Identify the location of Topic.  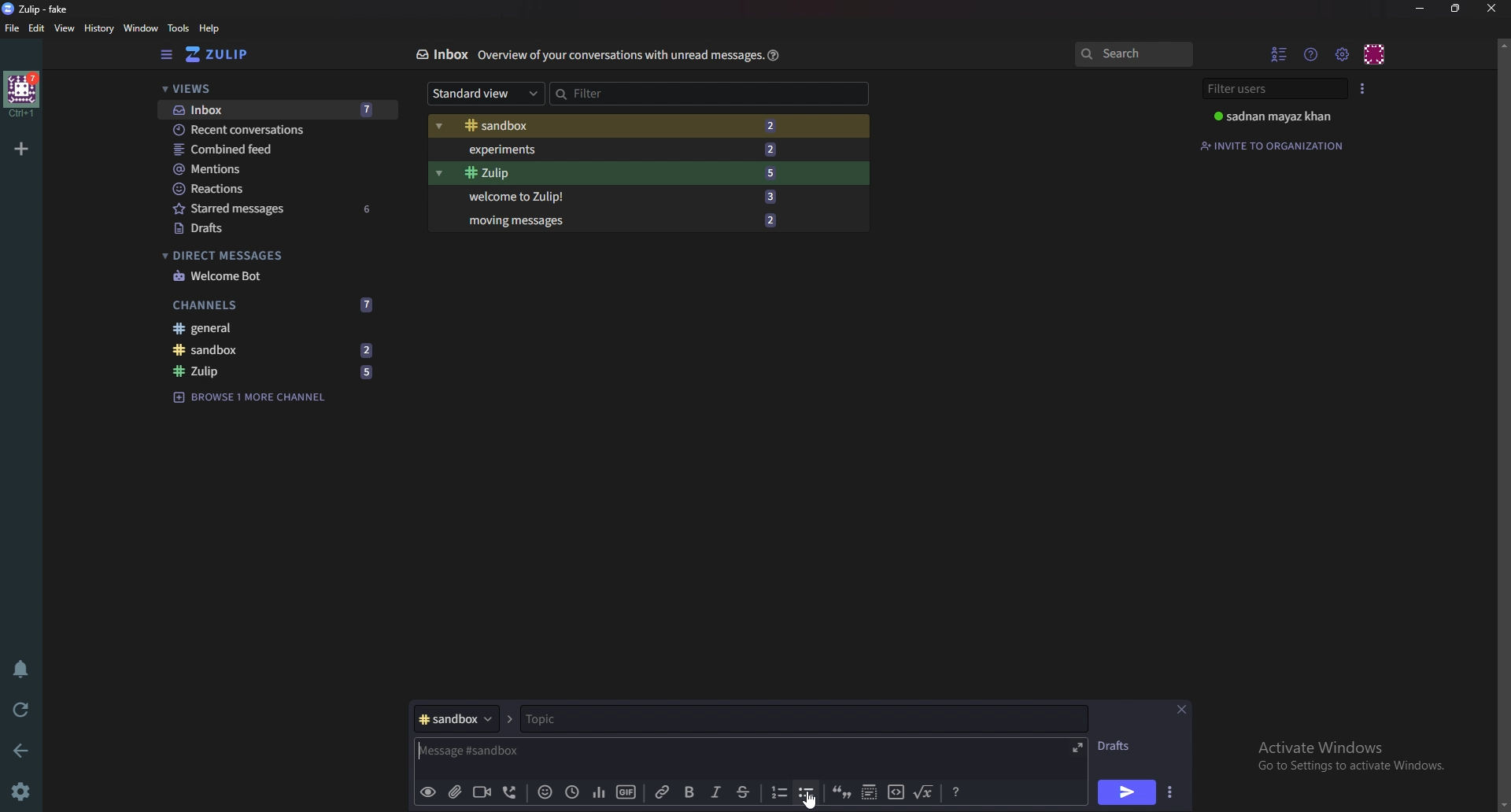
(801, 718).